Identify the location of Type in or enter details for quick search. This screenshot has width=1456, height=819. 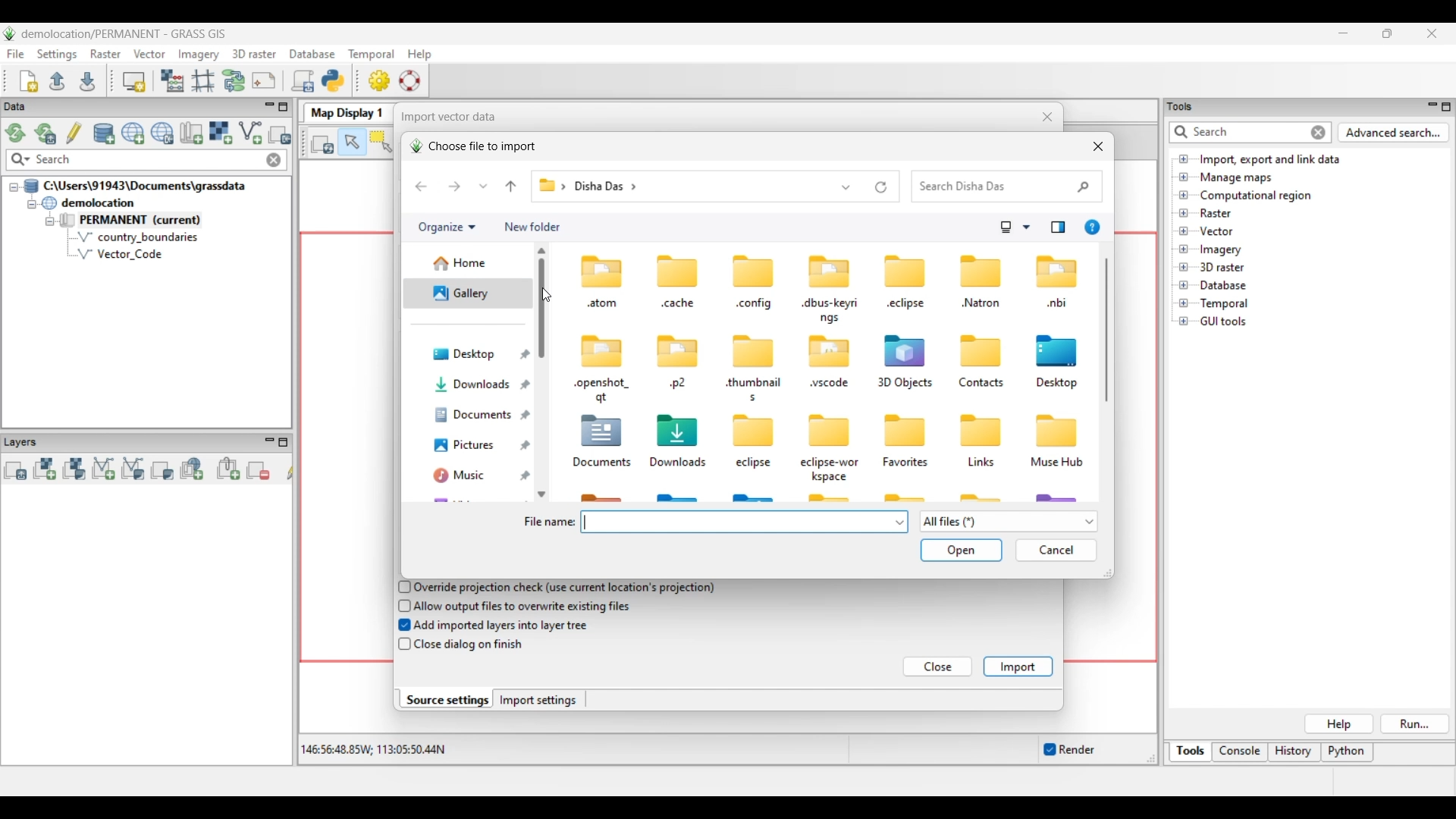
(1237, 132).